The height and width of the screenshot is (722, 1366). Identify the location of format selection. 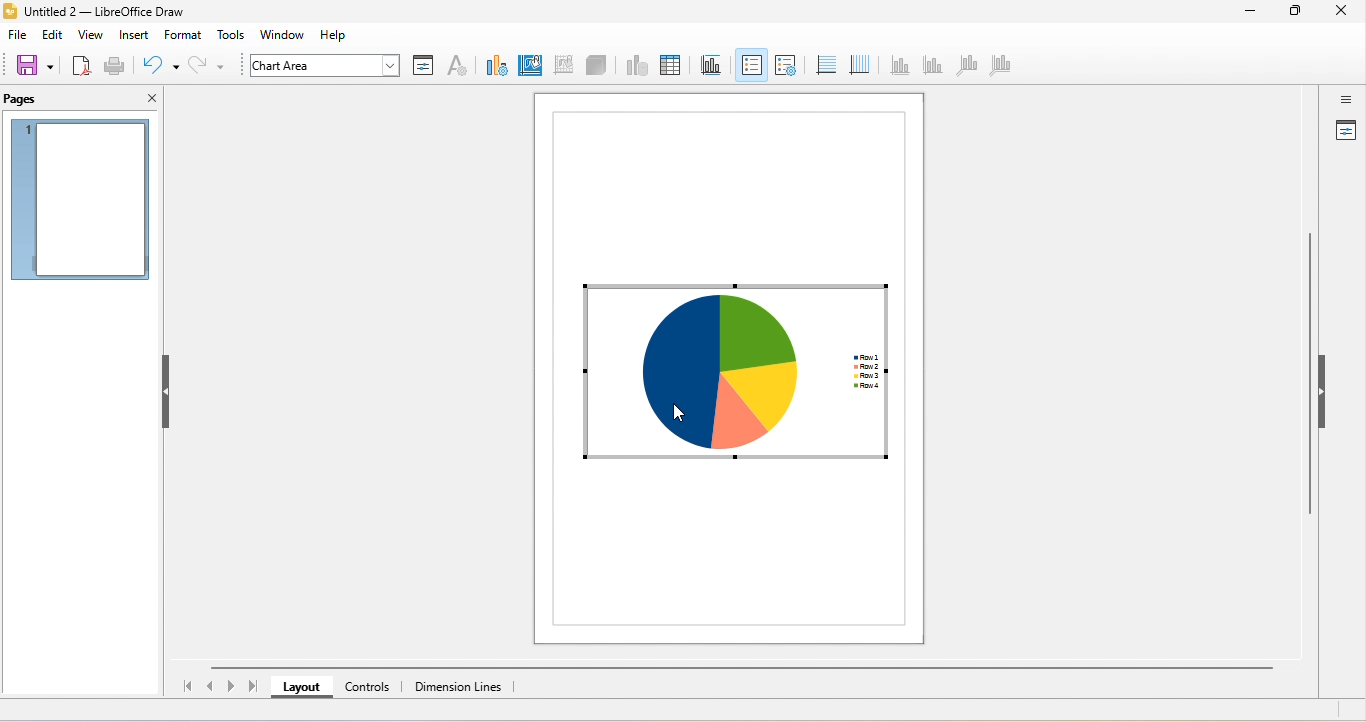
(423, 65).